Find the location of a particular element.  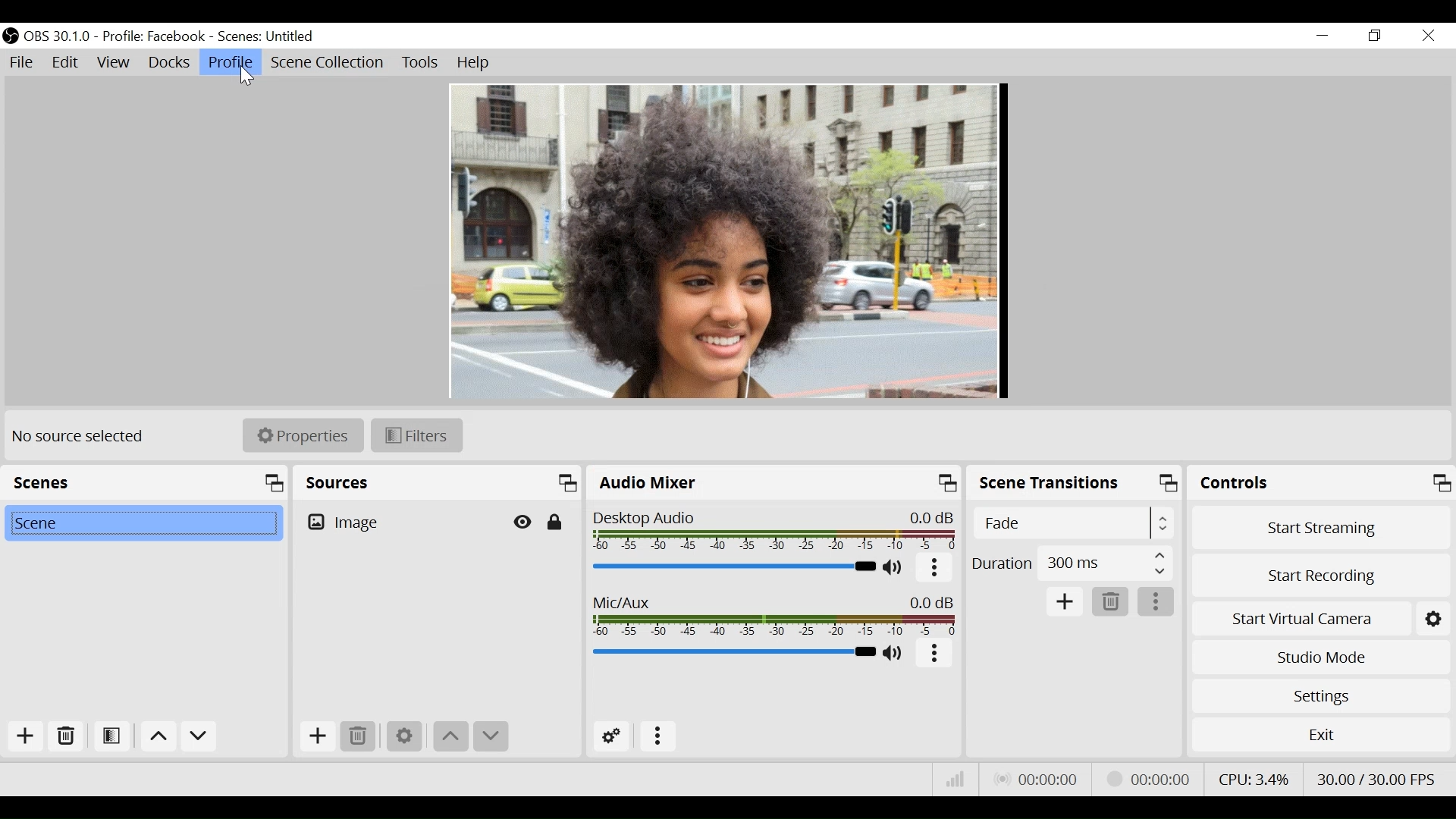

Desktop Audio is located at coordinates (776, 532).